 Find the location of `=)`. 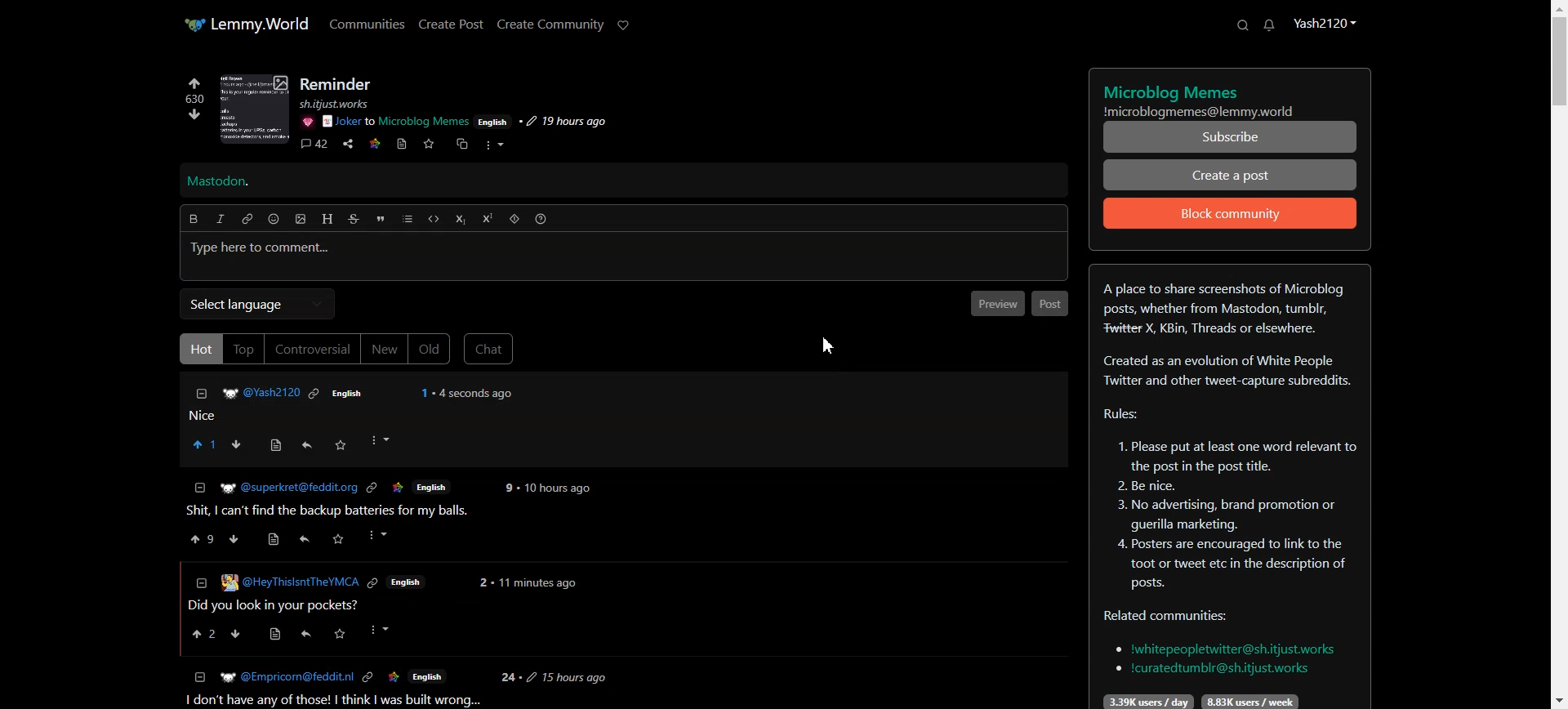

=) is located at coordinates (277, 443).